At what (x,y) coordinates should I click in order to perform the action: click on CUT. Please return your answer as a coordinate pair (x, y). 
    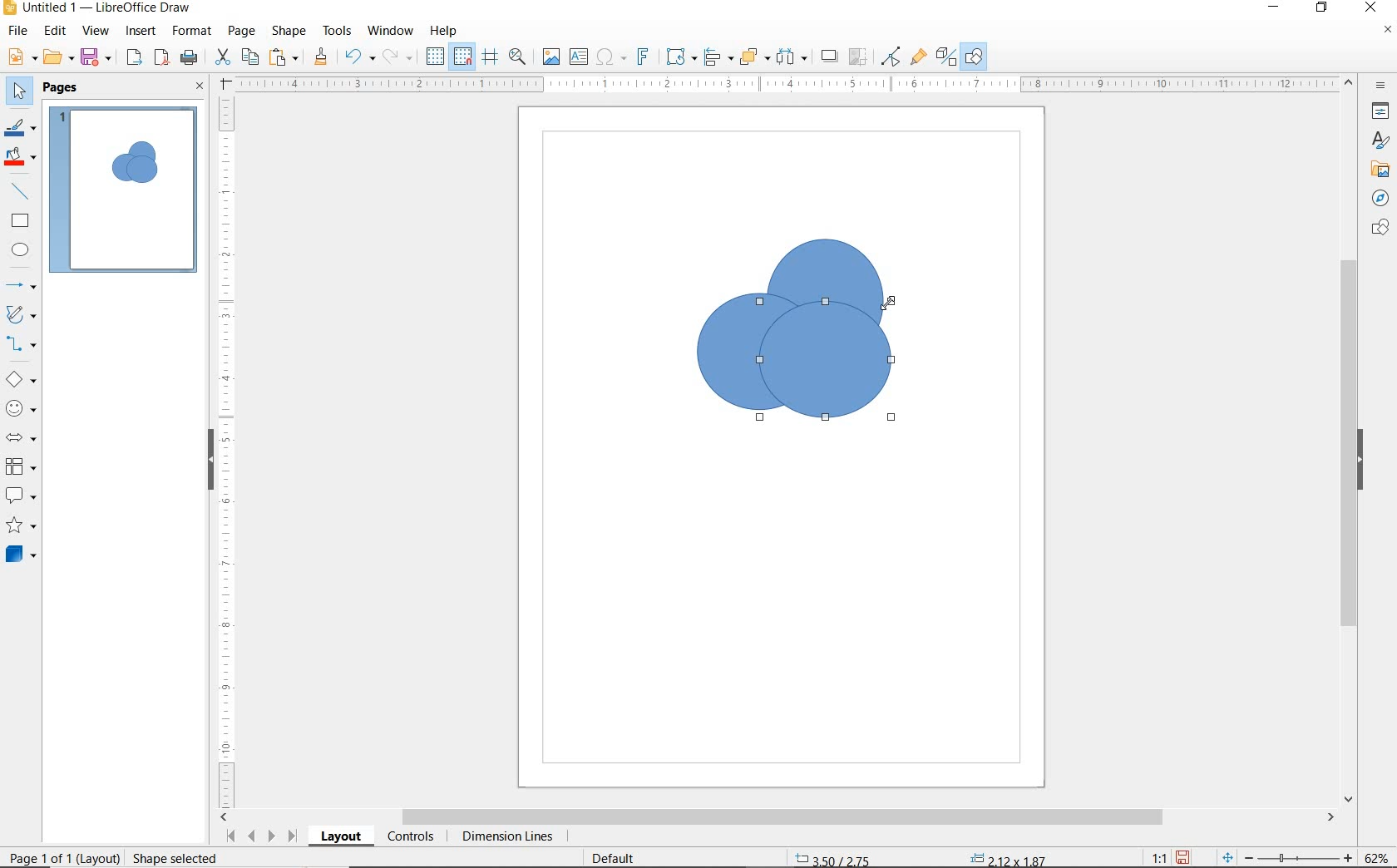
    Looking at the image, I should click on (223, 57).